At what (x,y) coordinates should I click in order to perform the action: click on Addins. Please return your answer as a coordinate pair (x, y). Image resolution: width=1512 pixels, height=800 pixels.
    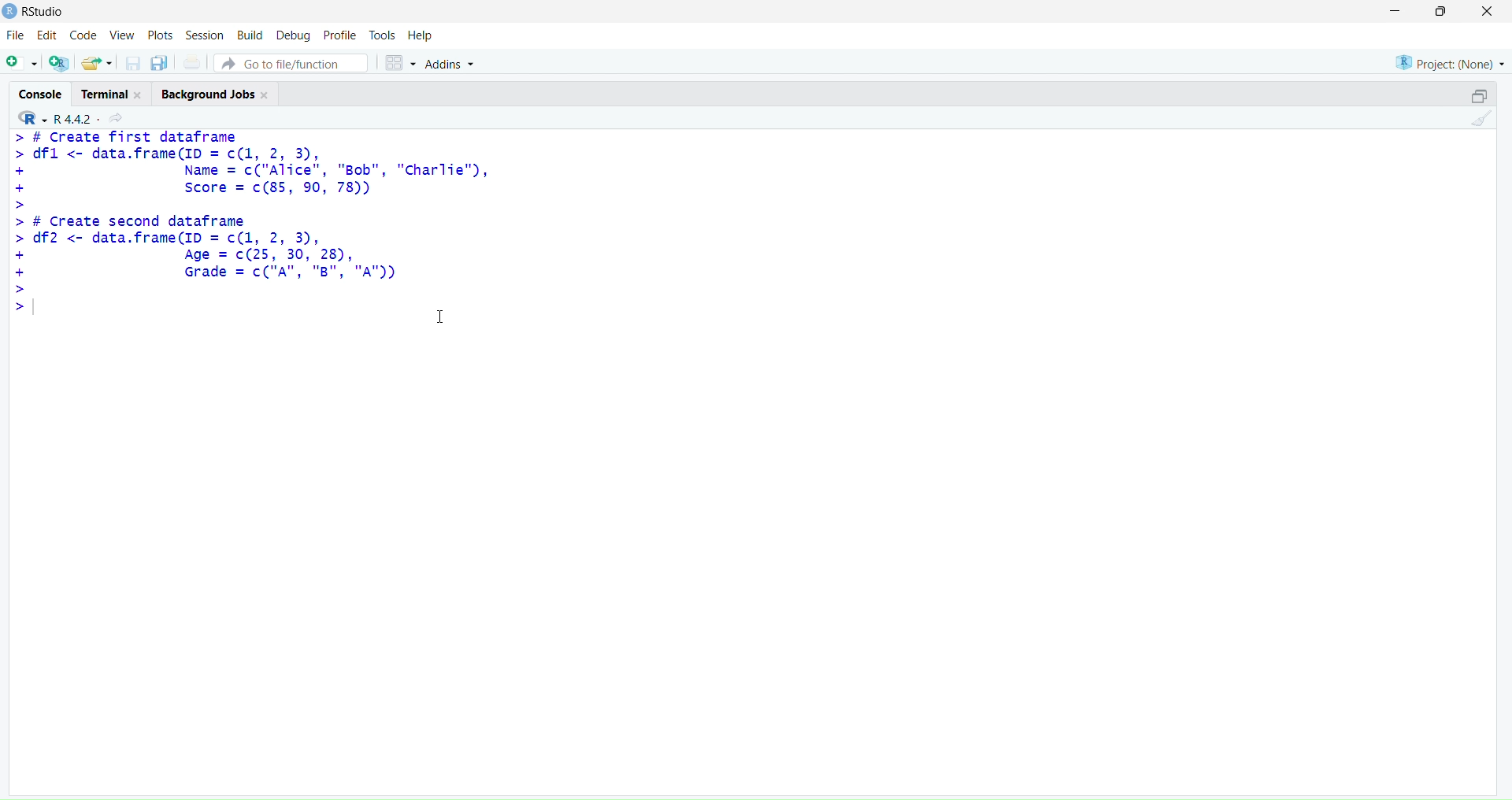
    Looking at the image, I should click on (450, 63).